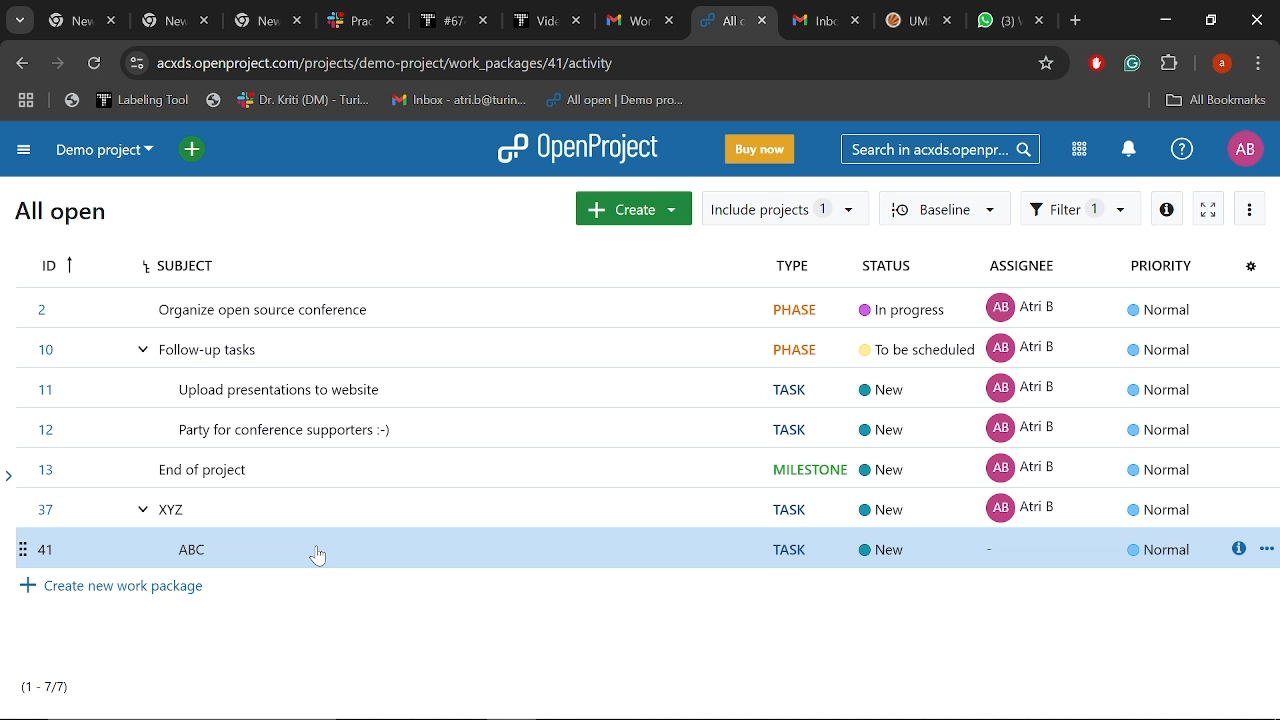  What do you see at coordinates (58, 65) in the screenshot?
I see `Next page` at bounding box center [58, 65].